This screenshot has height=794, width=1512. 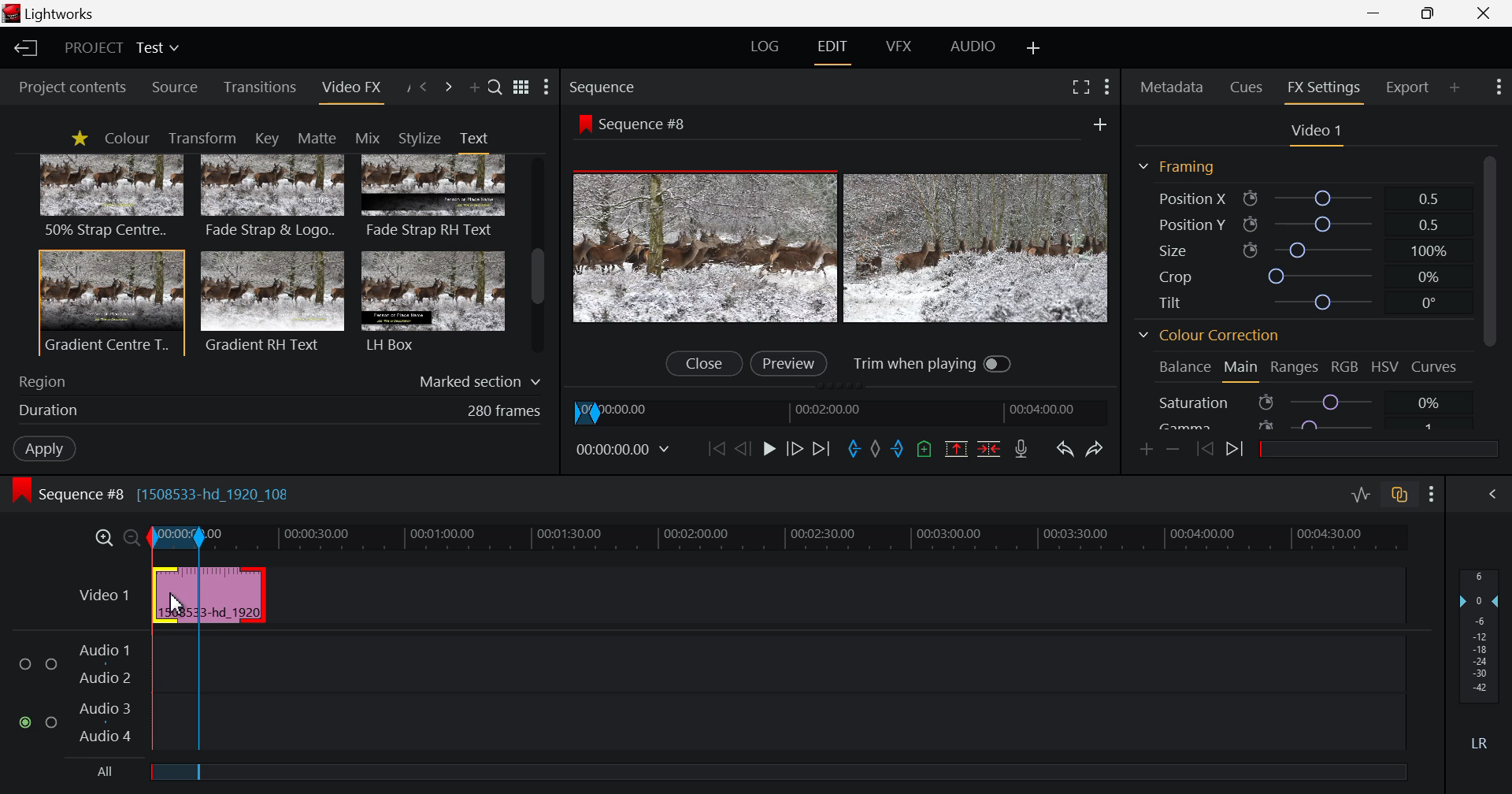 What do you see at coordinates (495, 89) in the screenshot?
I see `Search` at bounding box center [495, 89].